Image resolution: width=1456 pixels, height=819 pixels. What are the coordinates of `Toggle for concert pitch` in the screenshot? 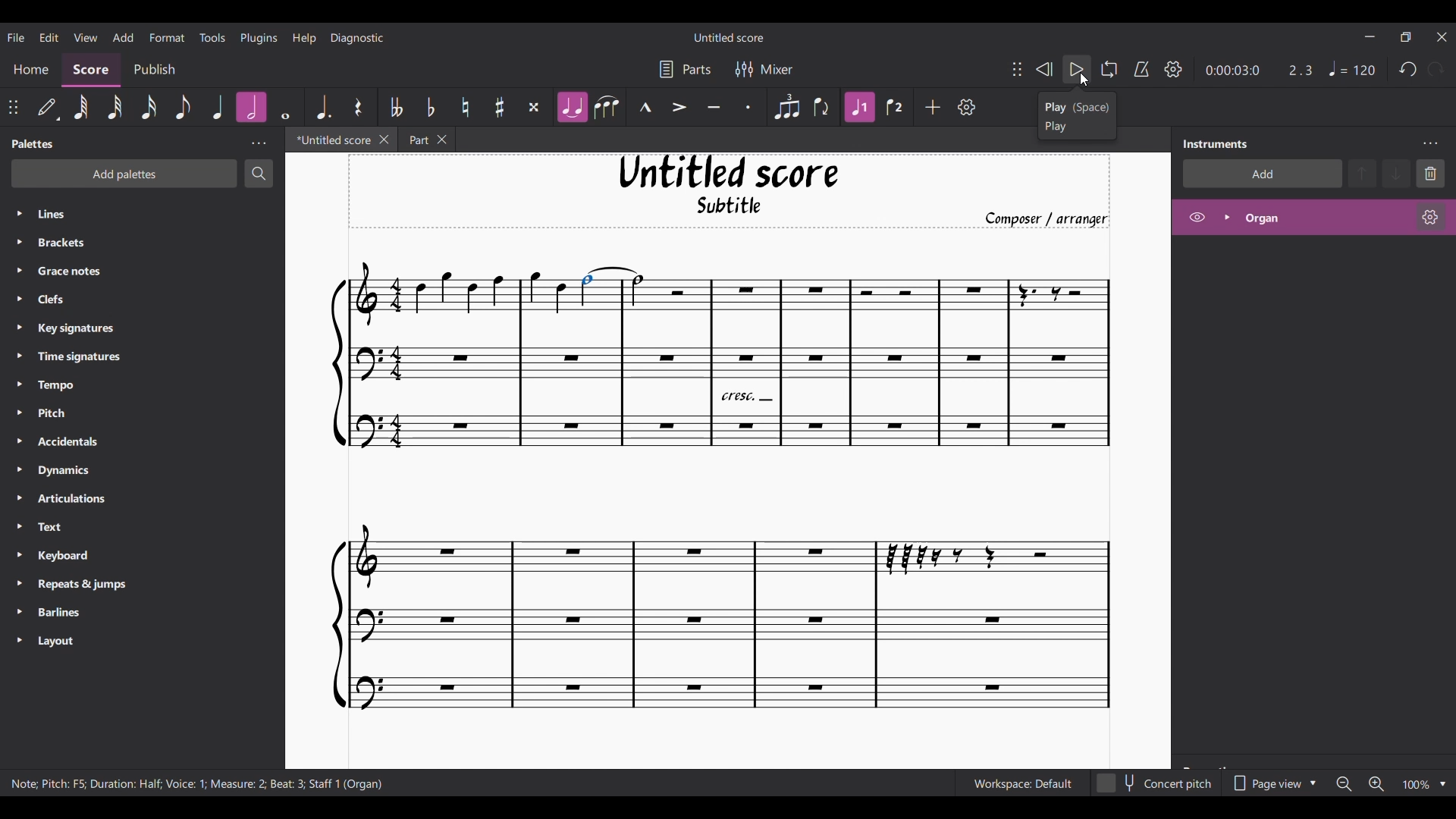 It's located at (1155, 783).